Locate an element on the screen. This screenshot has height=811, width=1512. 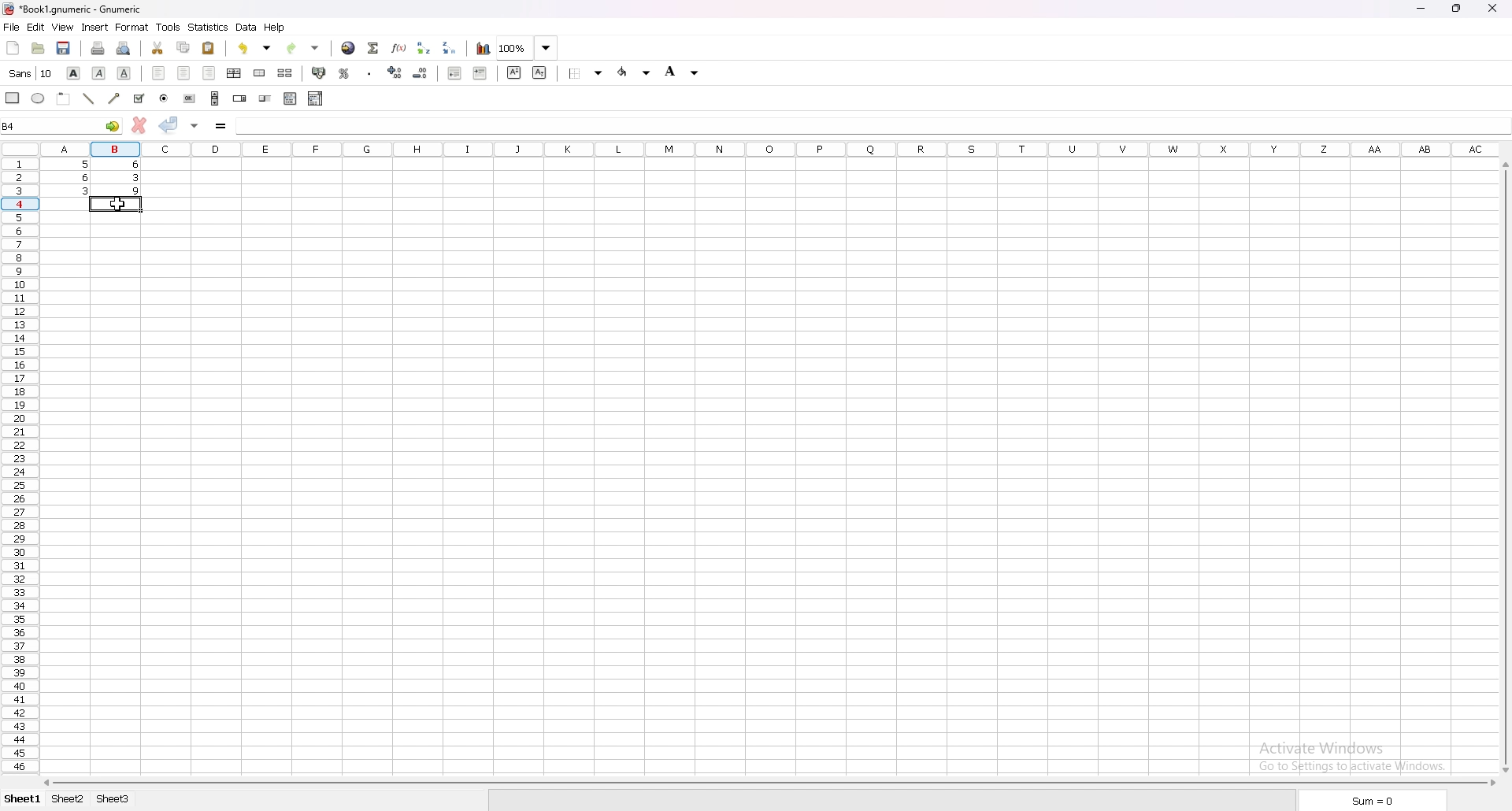
sheet is located at coordinates (112, 798).